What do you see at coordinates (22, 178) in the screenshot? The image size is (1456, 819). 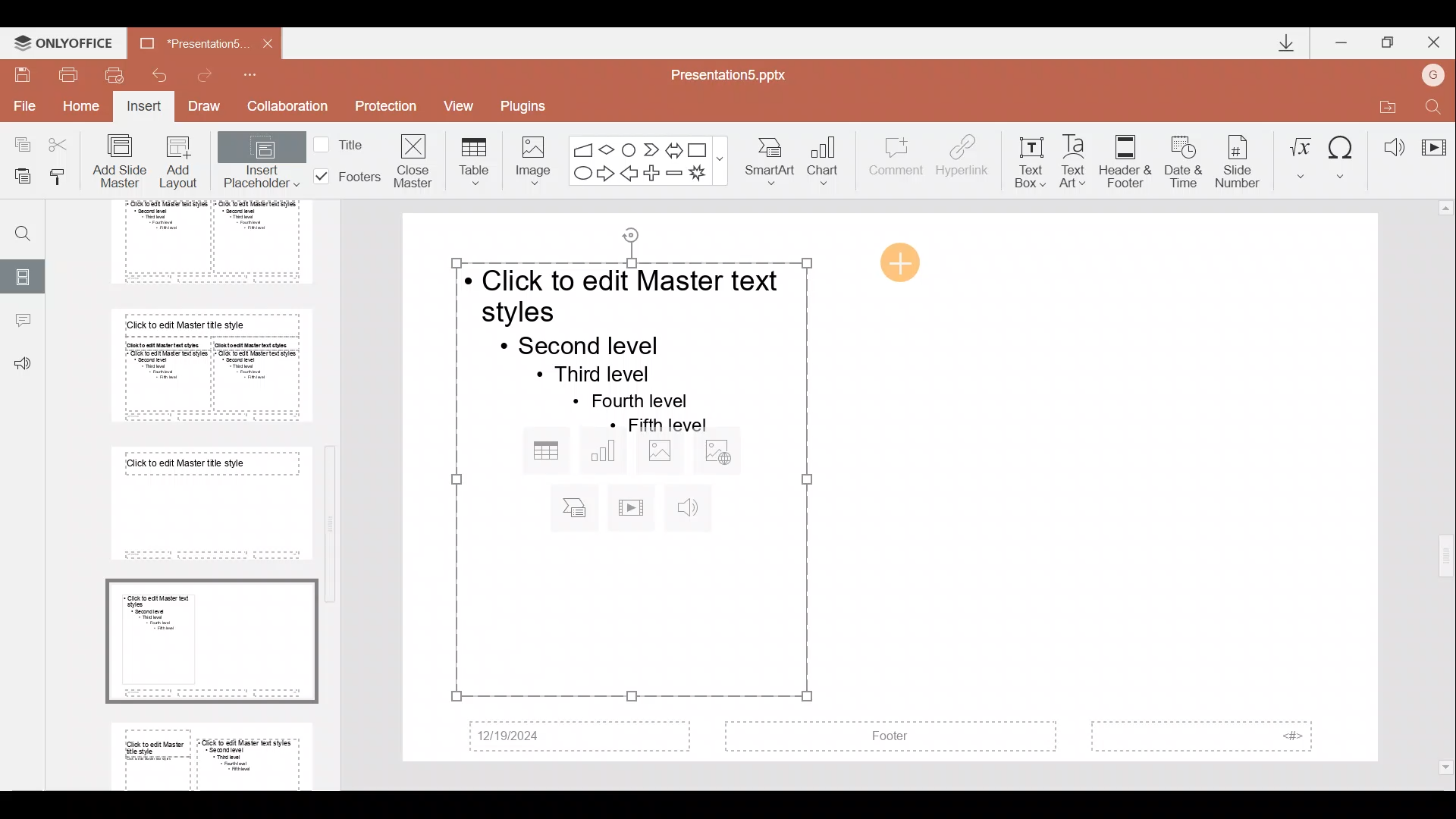 I see `Paste` at bounding box center [22, 178].